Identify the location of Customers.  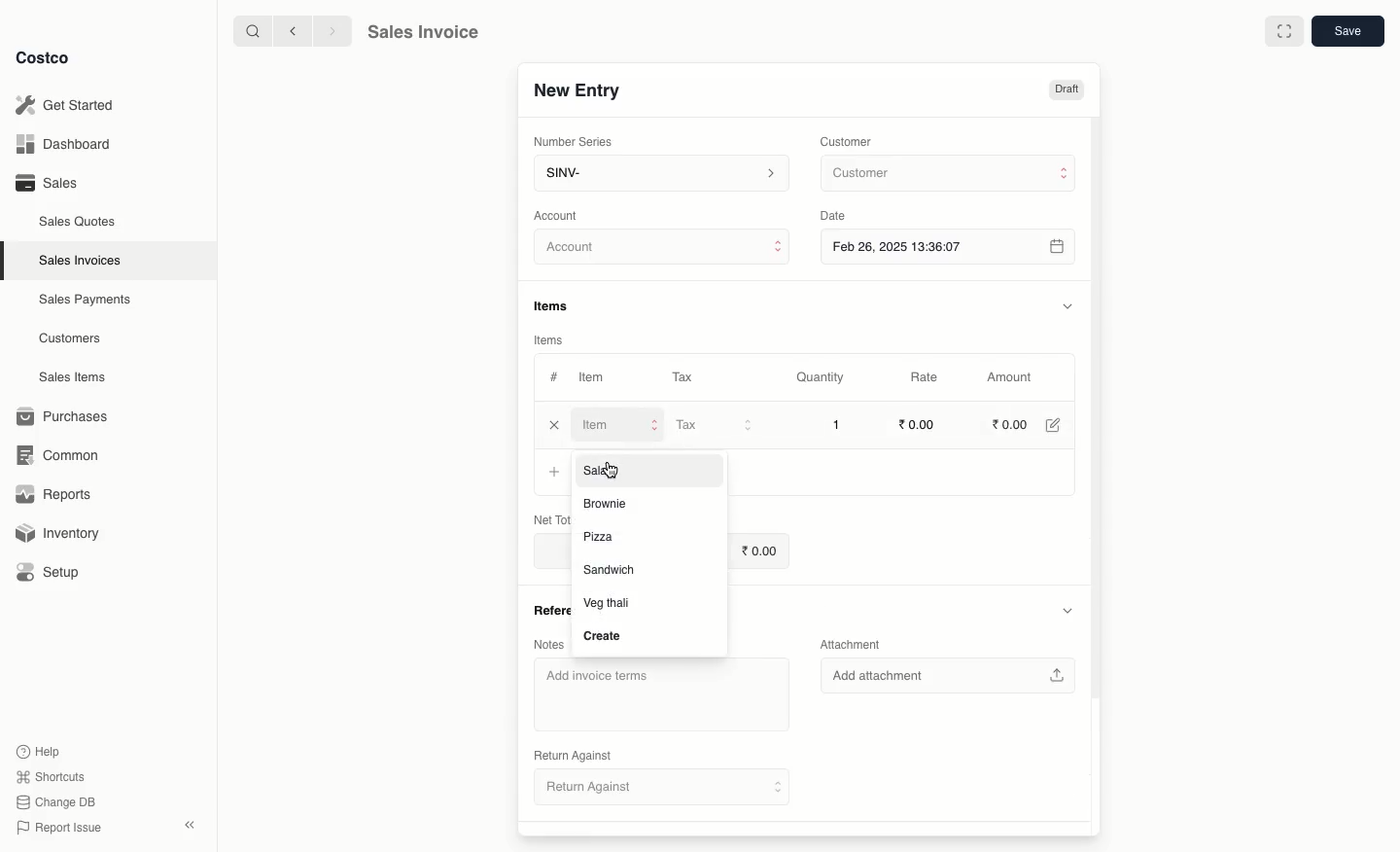
(70, 337).